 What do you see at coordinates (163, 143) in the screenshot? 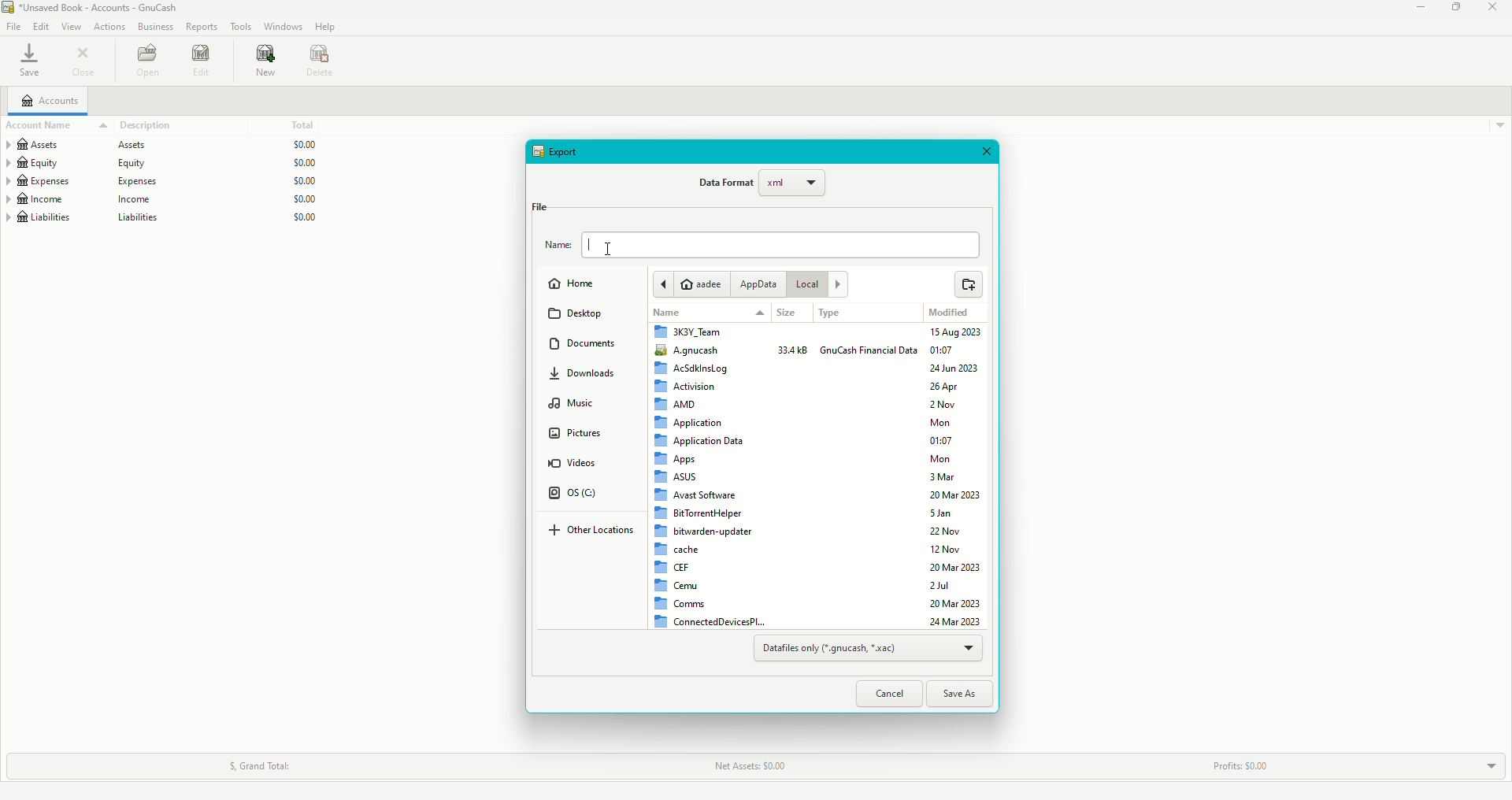
I see `Assets` at bounding box center [163, 143].